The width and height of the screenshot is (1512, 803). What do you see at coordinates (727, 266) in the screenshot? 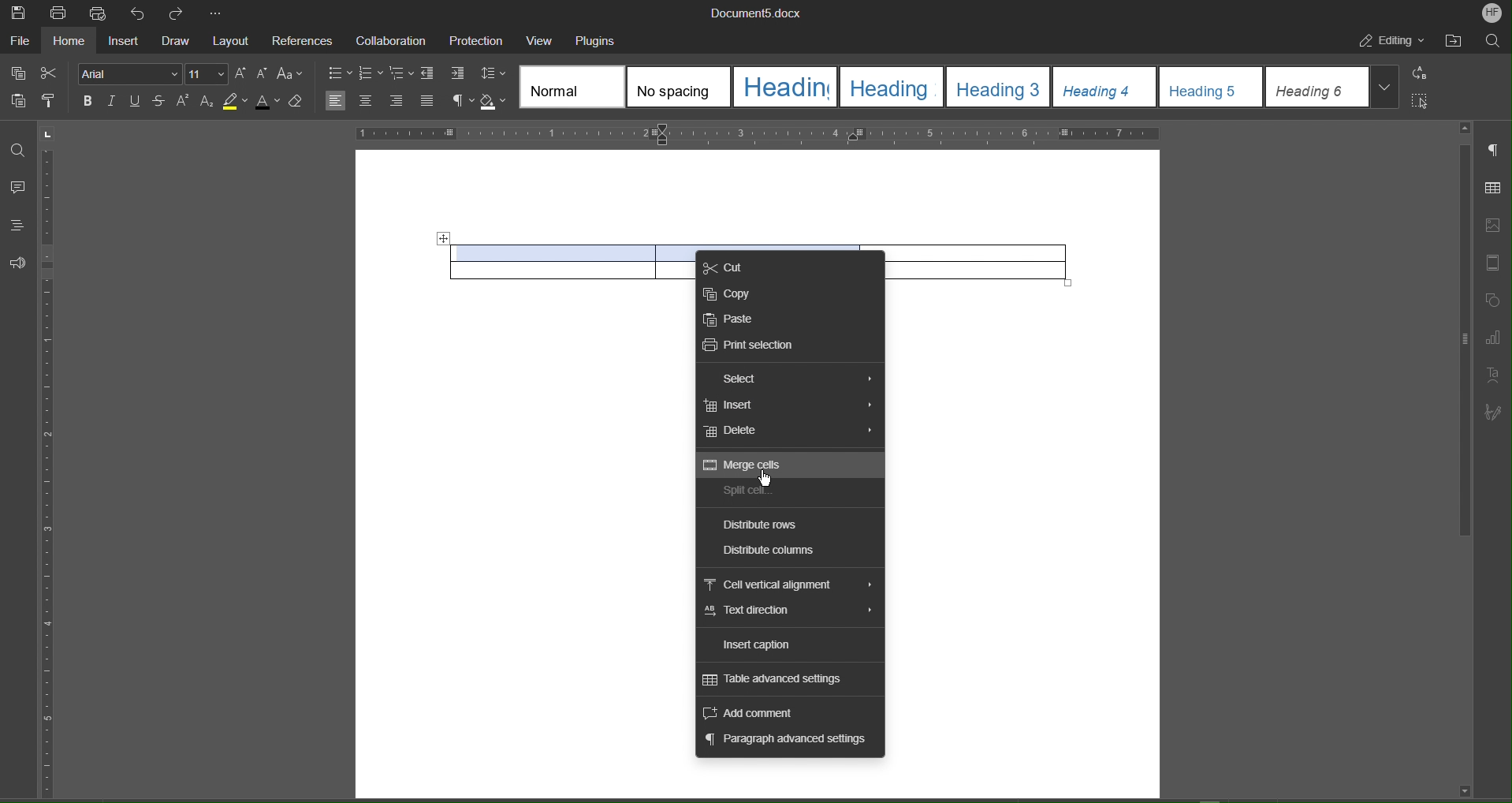
I see `Cut` at bounding box center [727, 266].